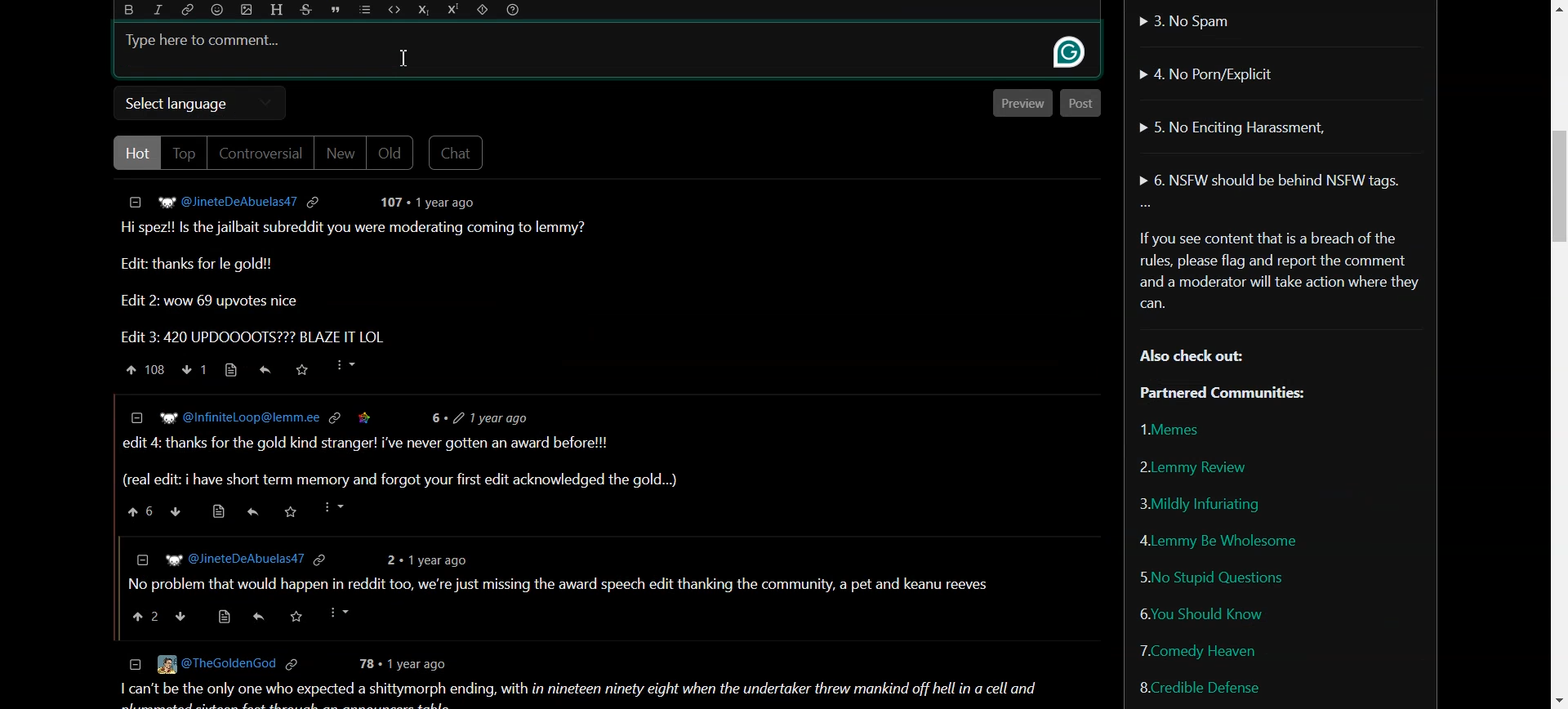  What do you see at coordinates (564, 50) in the screenshot?
I see `Typing bar` at bounding box center [564, 50].